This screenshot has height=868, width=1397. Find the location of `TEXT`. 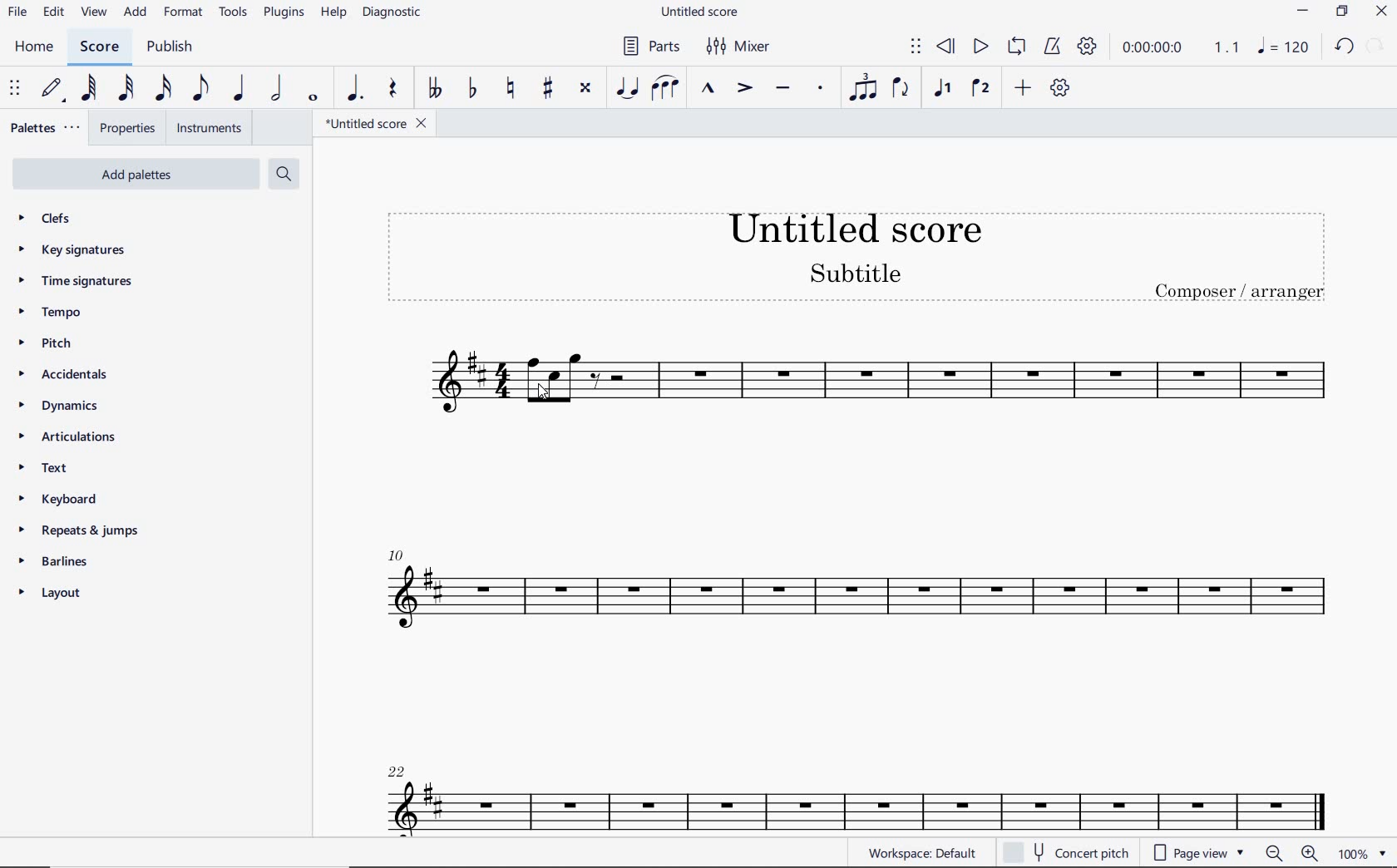

TEXT is located at coordinates (72, 470).